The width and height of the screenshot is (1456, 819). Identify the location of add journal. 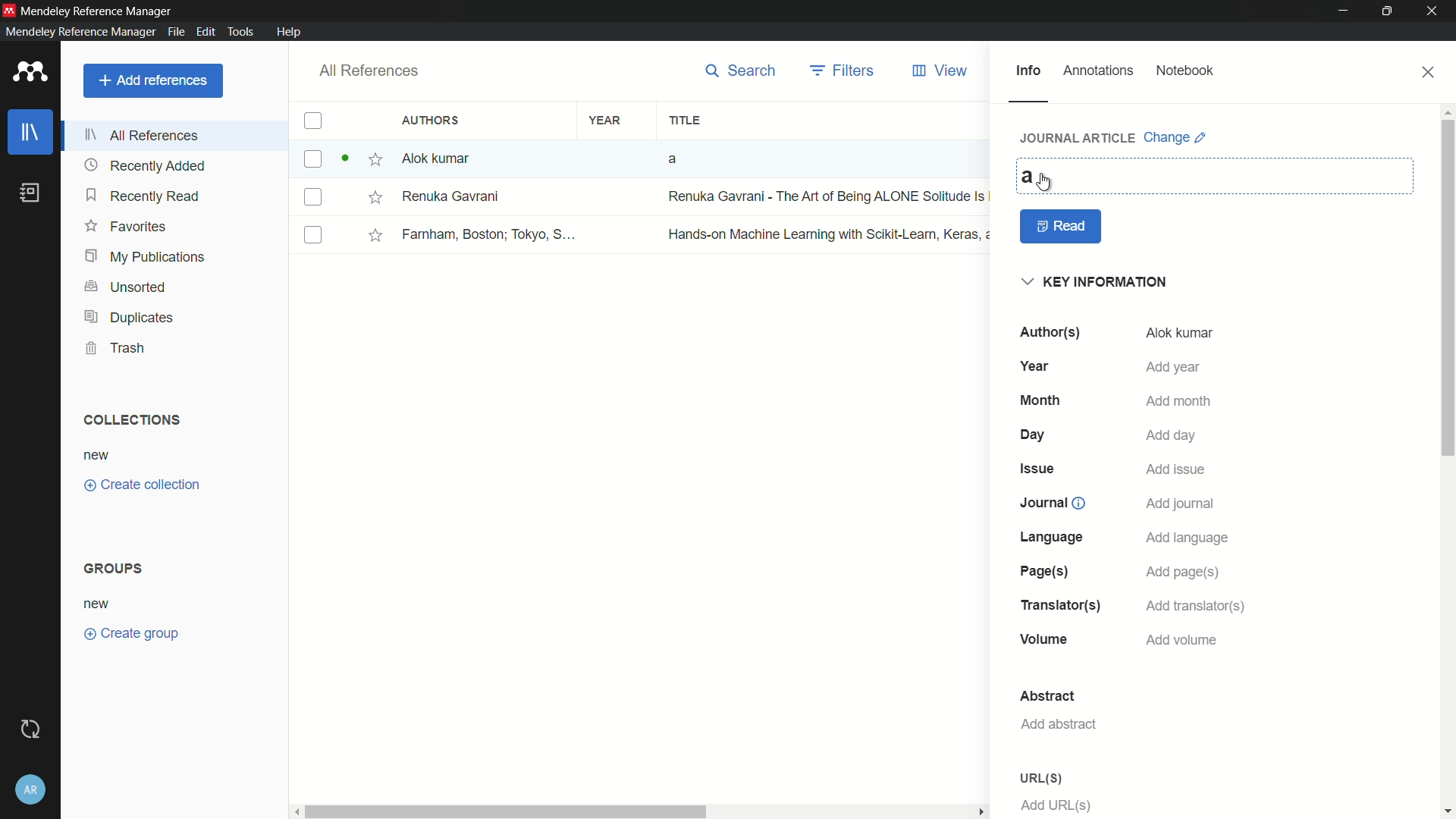
(1181, 504).